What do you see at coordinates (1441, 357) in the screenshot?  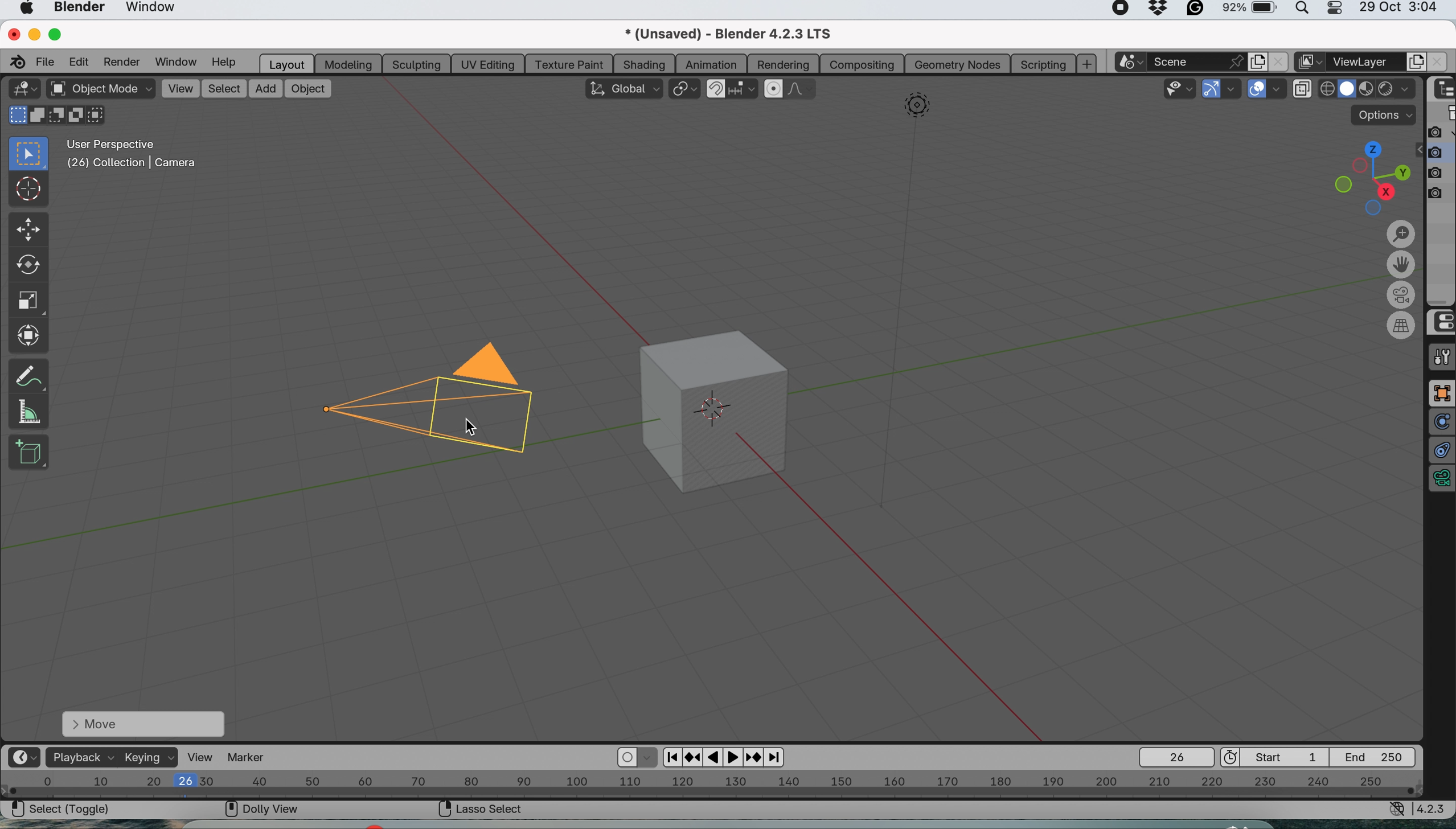 I see `tools` at bounding box center [1441, 357].